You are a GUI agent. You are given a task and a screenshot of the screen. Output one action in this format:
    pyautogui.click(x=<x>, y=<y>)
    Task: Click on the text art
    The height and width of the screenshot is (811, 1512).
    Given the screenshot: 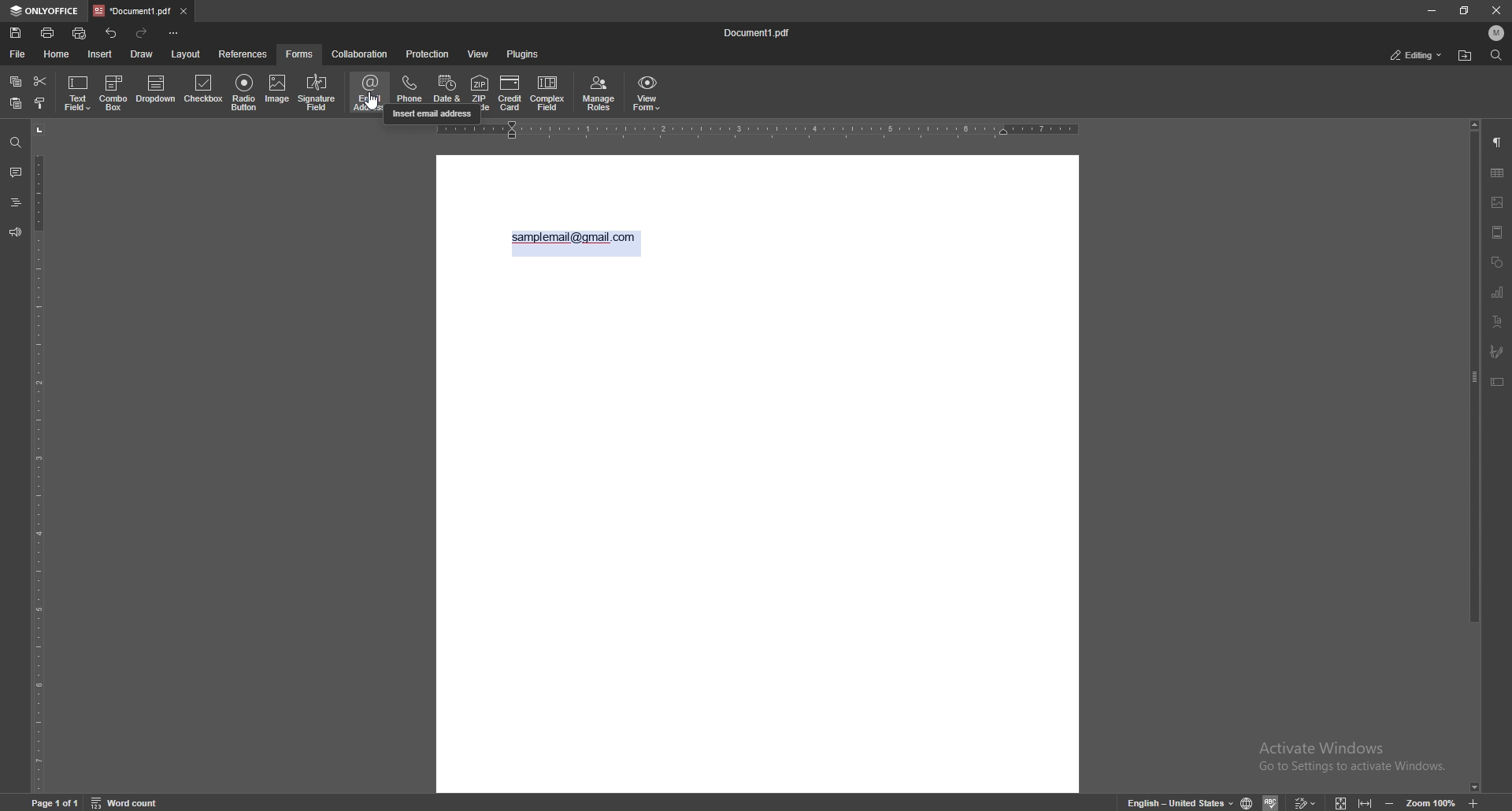 What is the action you would take?
    pyautogui.click(x=1498, y=322)
    